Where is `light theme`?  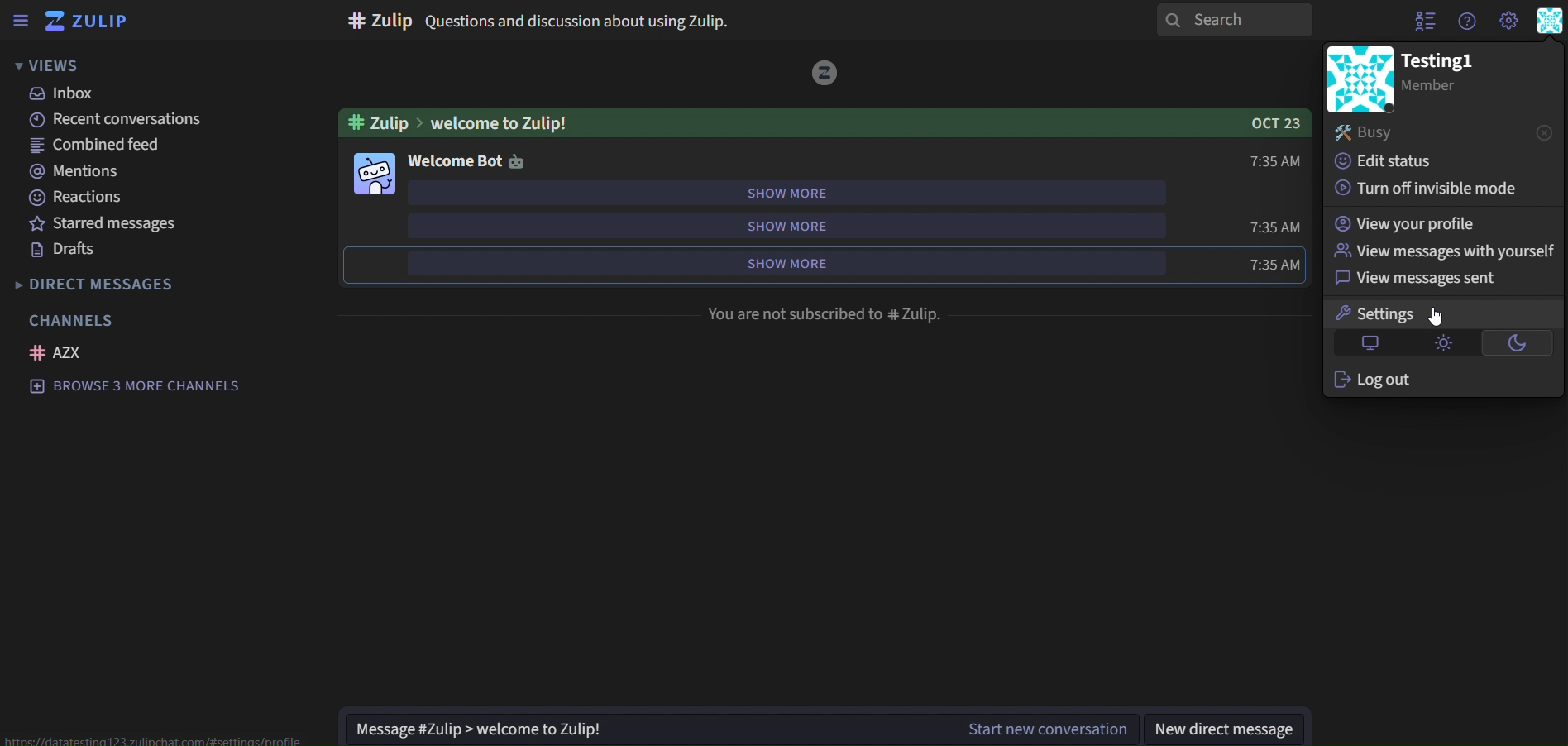 light theme is located at coordinates (1441, 343).